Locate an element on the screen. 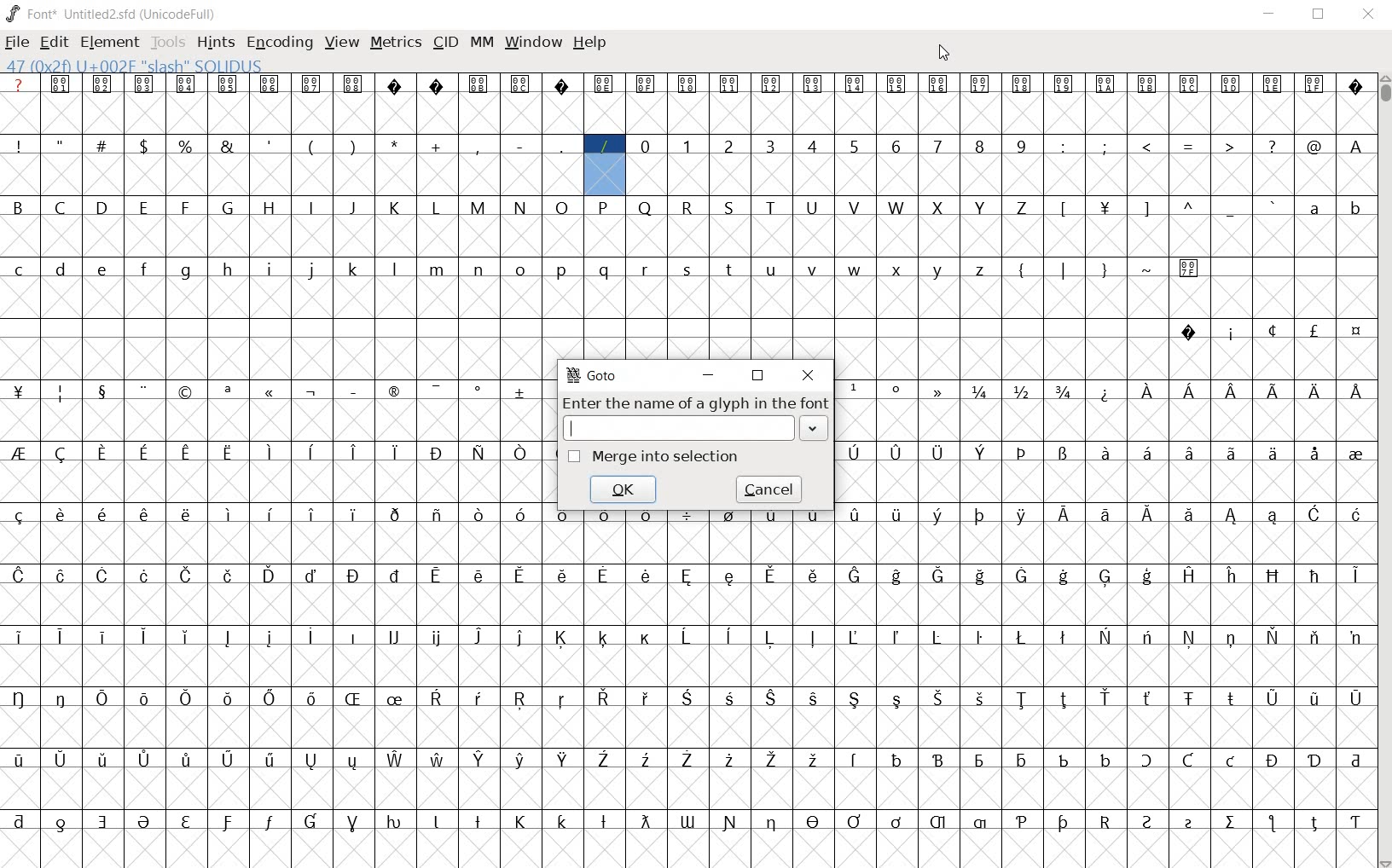 The image size is (1392, 868). glyph is located at coordinates (271, 269).